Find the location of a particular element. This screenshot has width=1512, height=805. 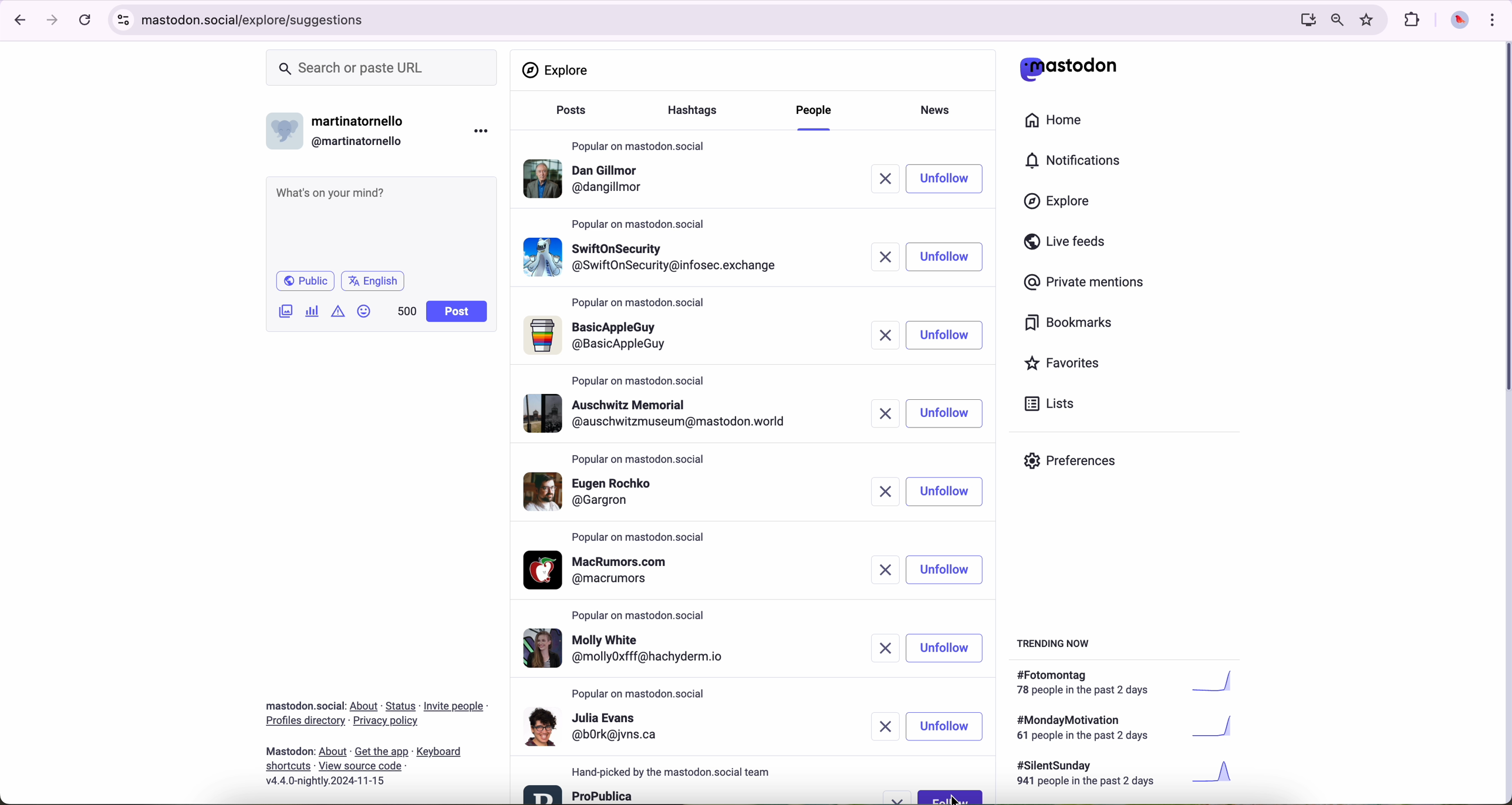

popular on mastodon.social is located at coordinates (640, 304).